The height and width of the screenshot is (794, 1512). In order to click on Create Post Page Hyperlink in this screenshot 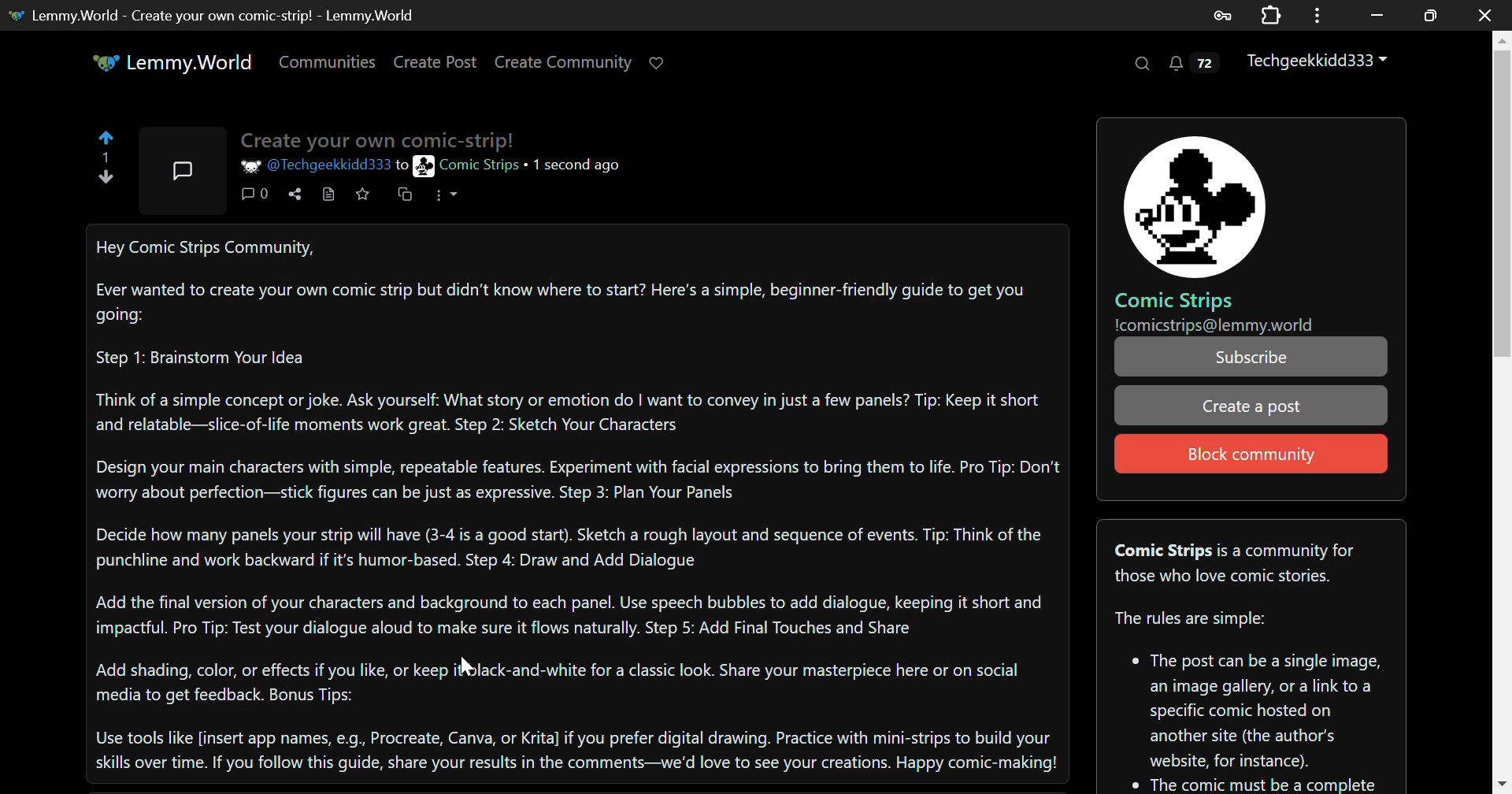, I will do `click(439, 61)`.